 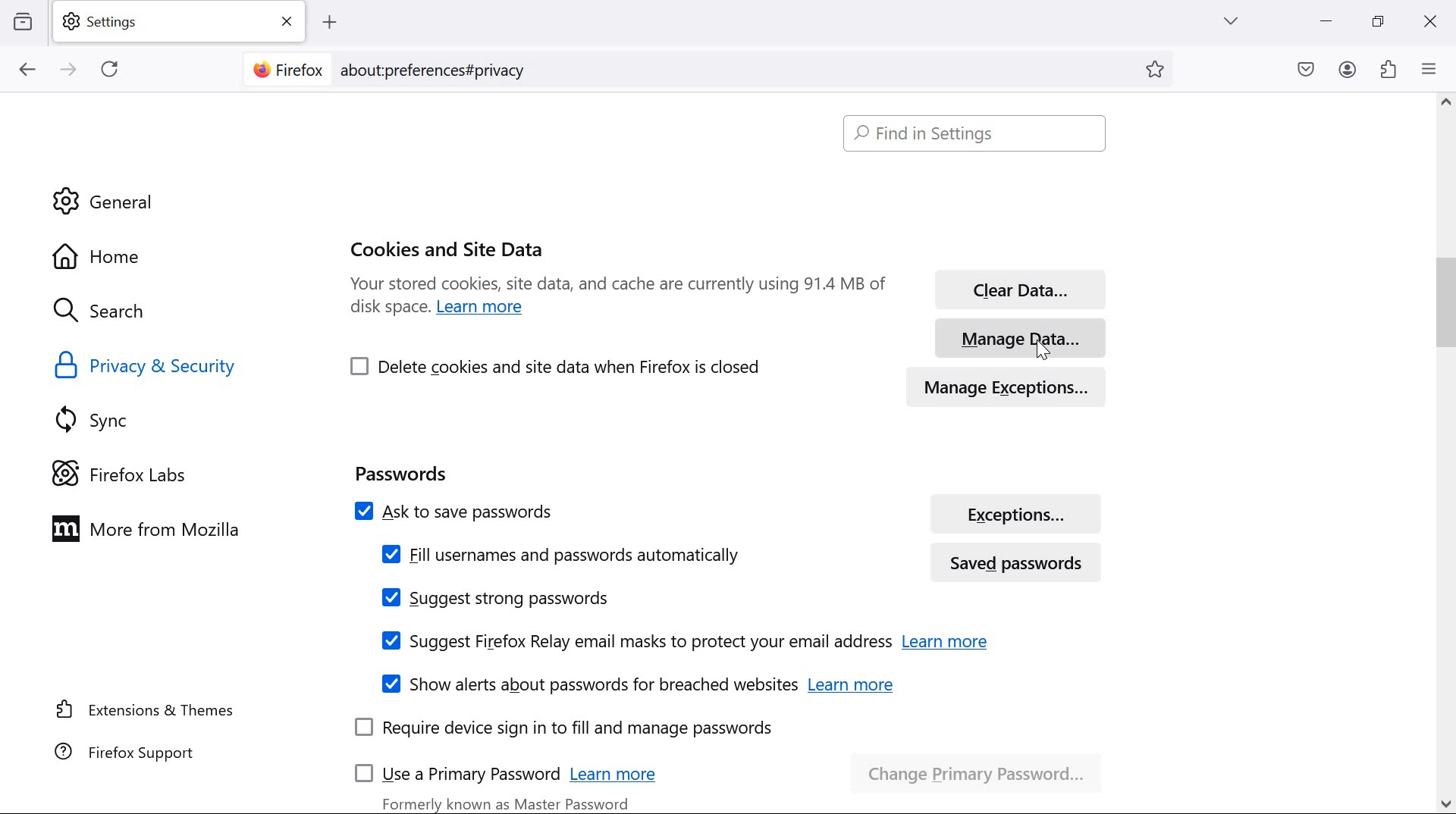 I want to click on extensions, so click(x=1389, y=68).